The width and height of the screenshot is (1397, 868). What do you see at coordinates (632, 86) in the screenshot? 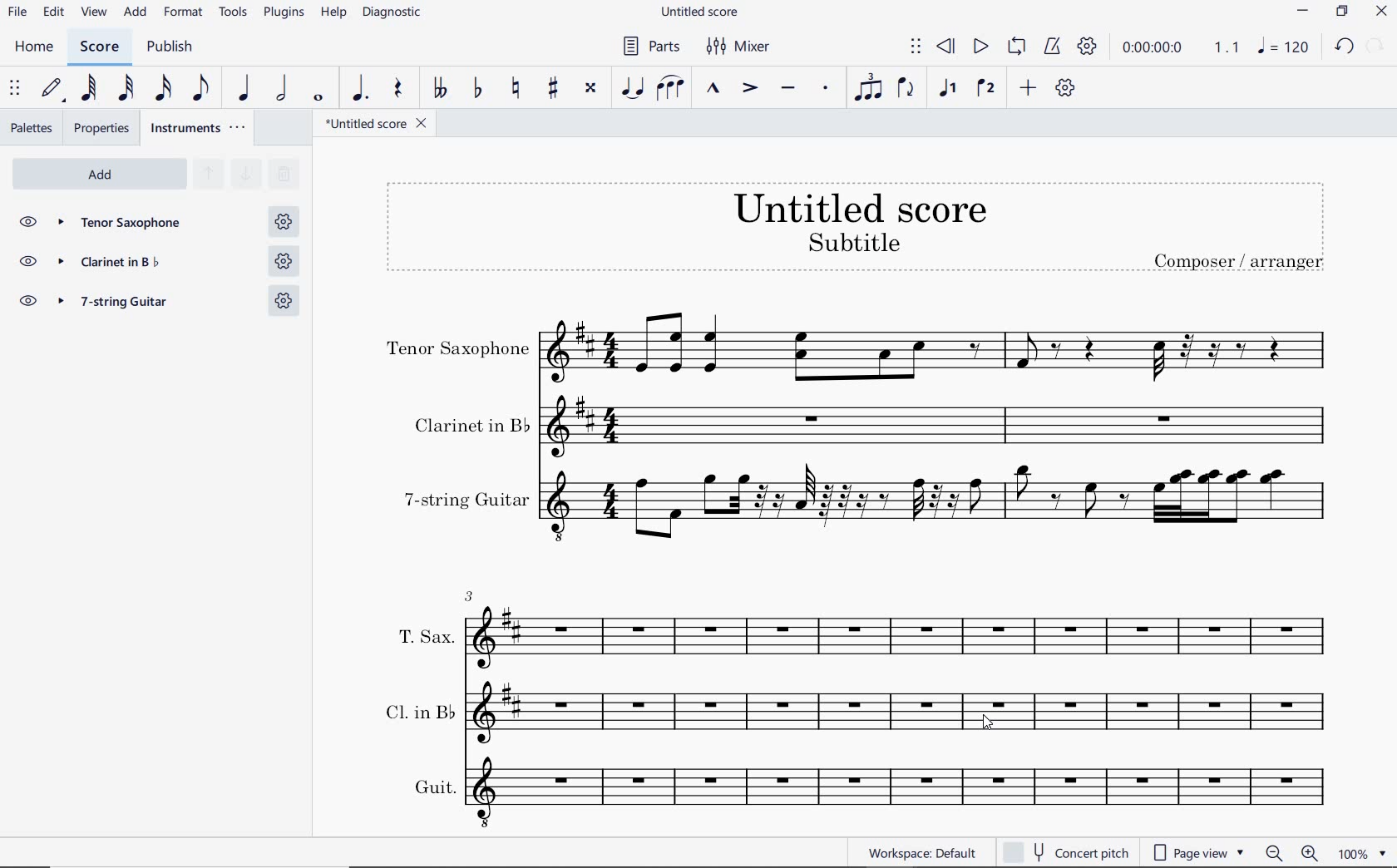
I see `TIE` at bounding box center [632, 86].